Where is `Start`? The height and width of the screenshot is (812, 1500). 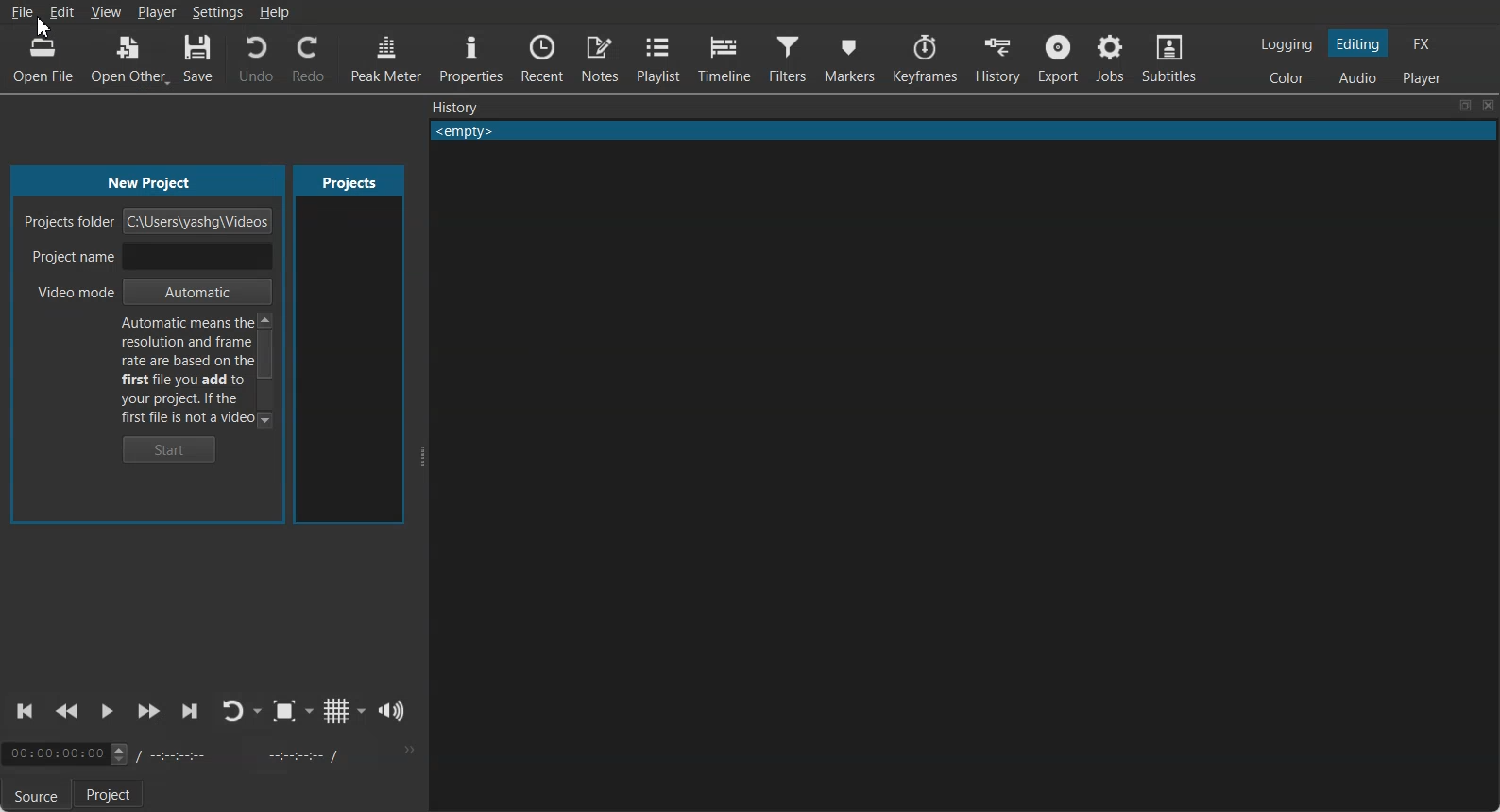
Start is located at coordinates (170, 449).